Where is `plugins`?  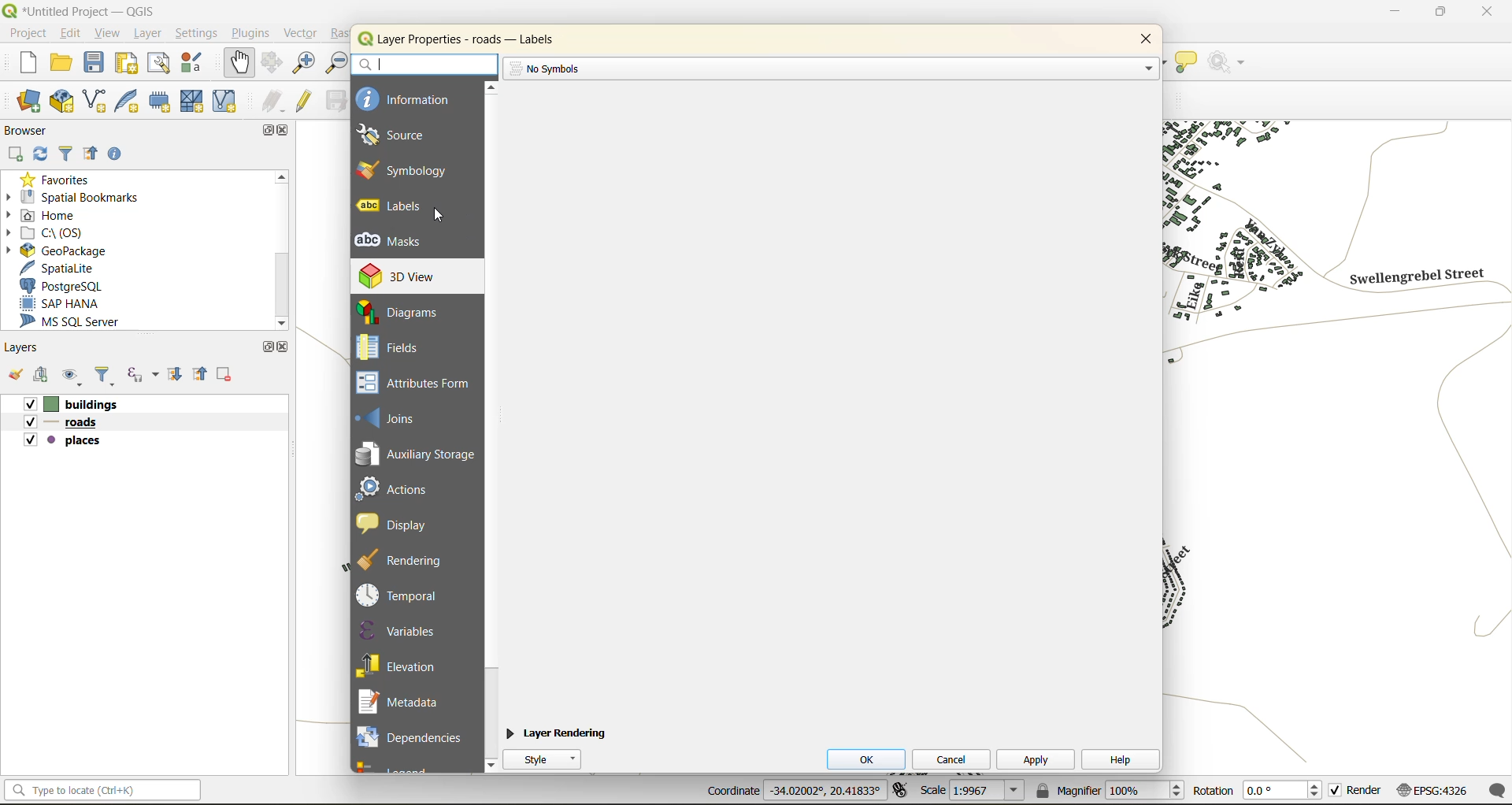 plugins is located at coordinates (251, 35).